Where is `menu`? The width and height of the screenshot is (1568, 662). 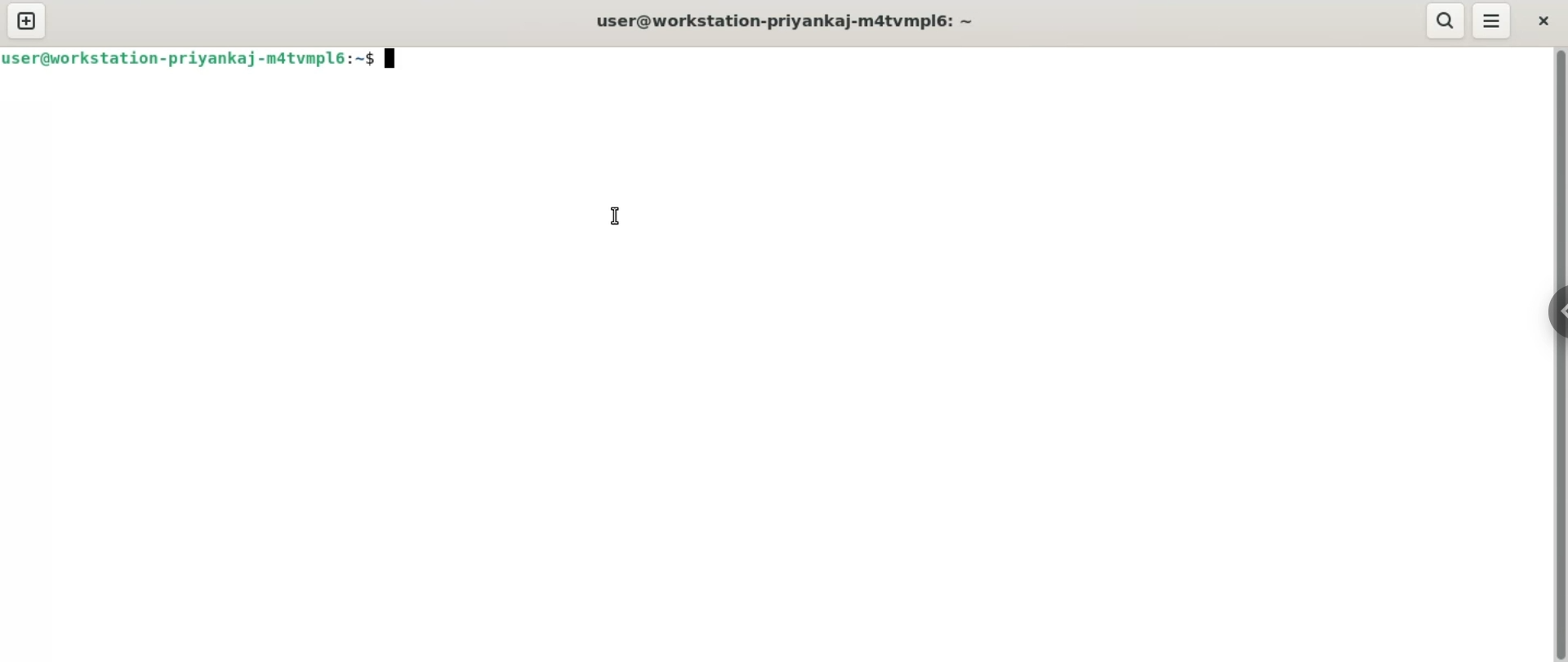
menu is located at coordinates (1491, 22).